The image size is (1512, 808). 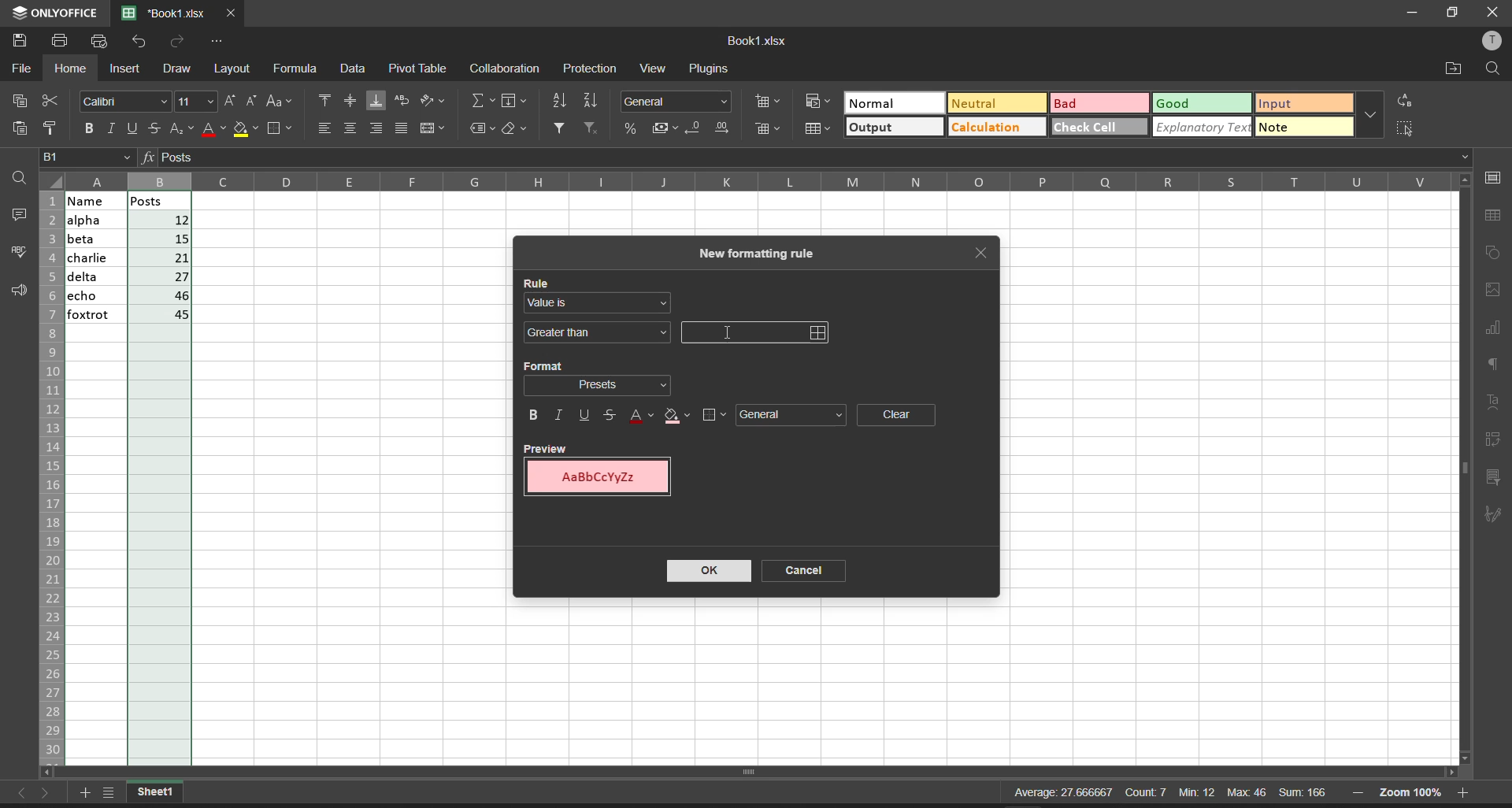 What do you see at coordinates (149, 157) in the screenshot?
I see `formula` at bounding box center [149, 157].